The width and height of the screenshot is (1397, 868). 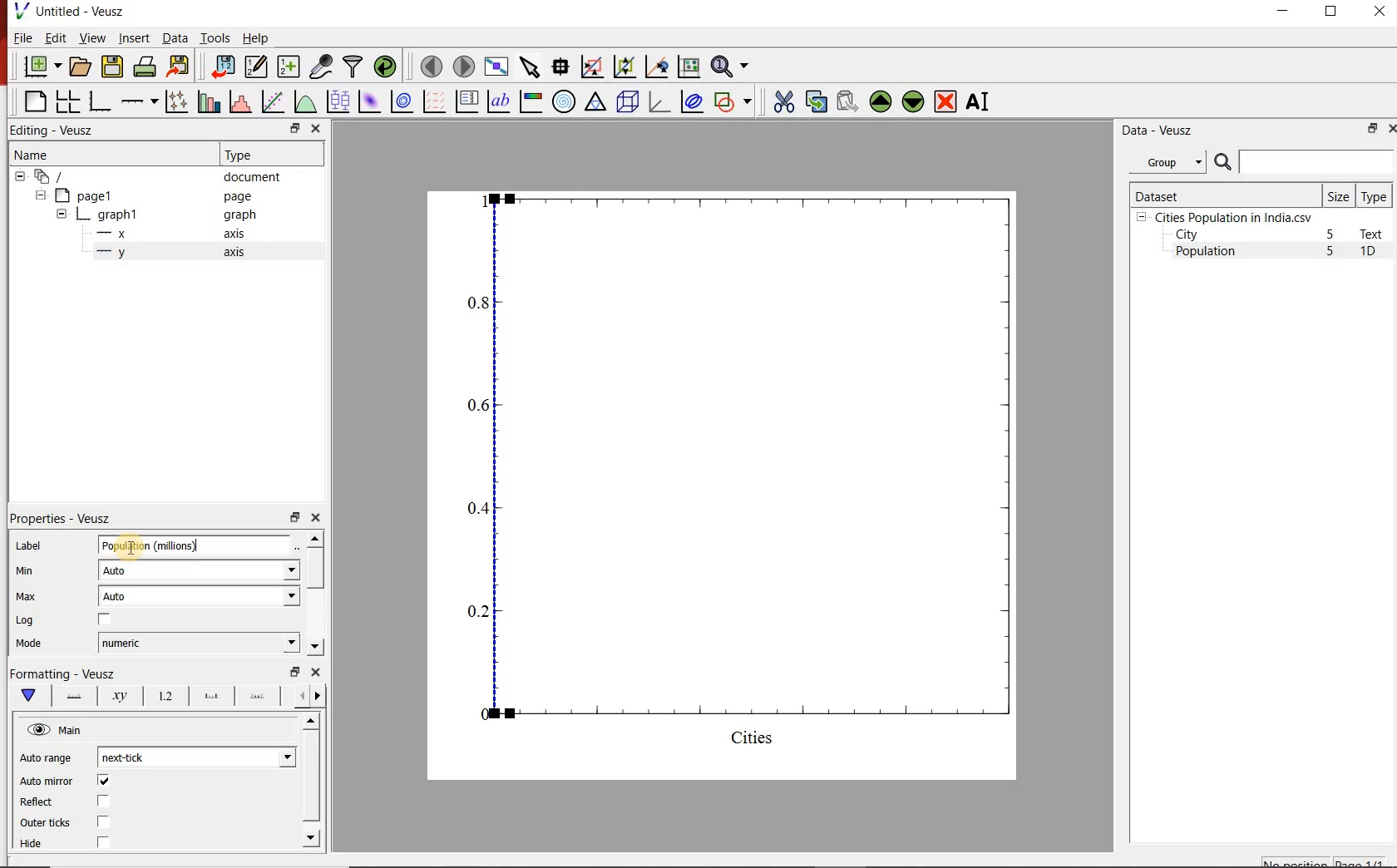 I want to click on page1, so click(x=149, y=195).